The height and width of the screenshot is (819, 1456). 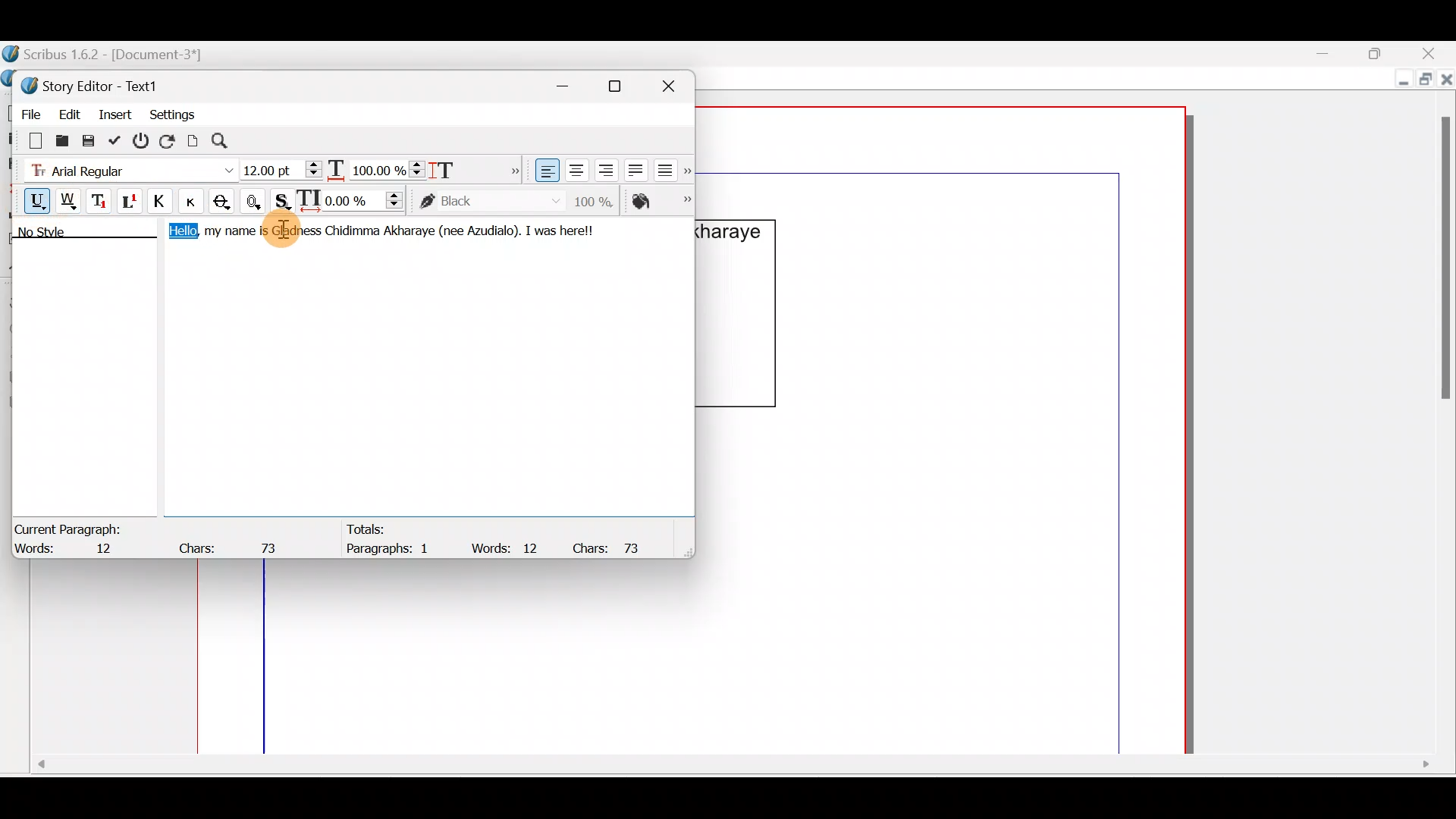 I want to click on Strike out, so click(x=226, y=202).